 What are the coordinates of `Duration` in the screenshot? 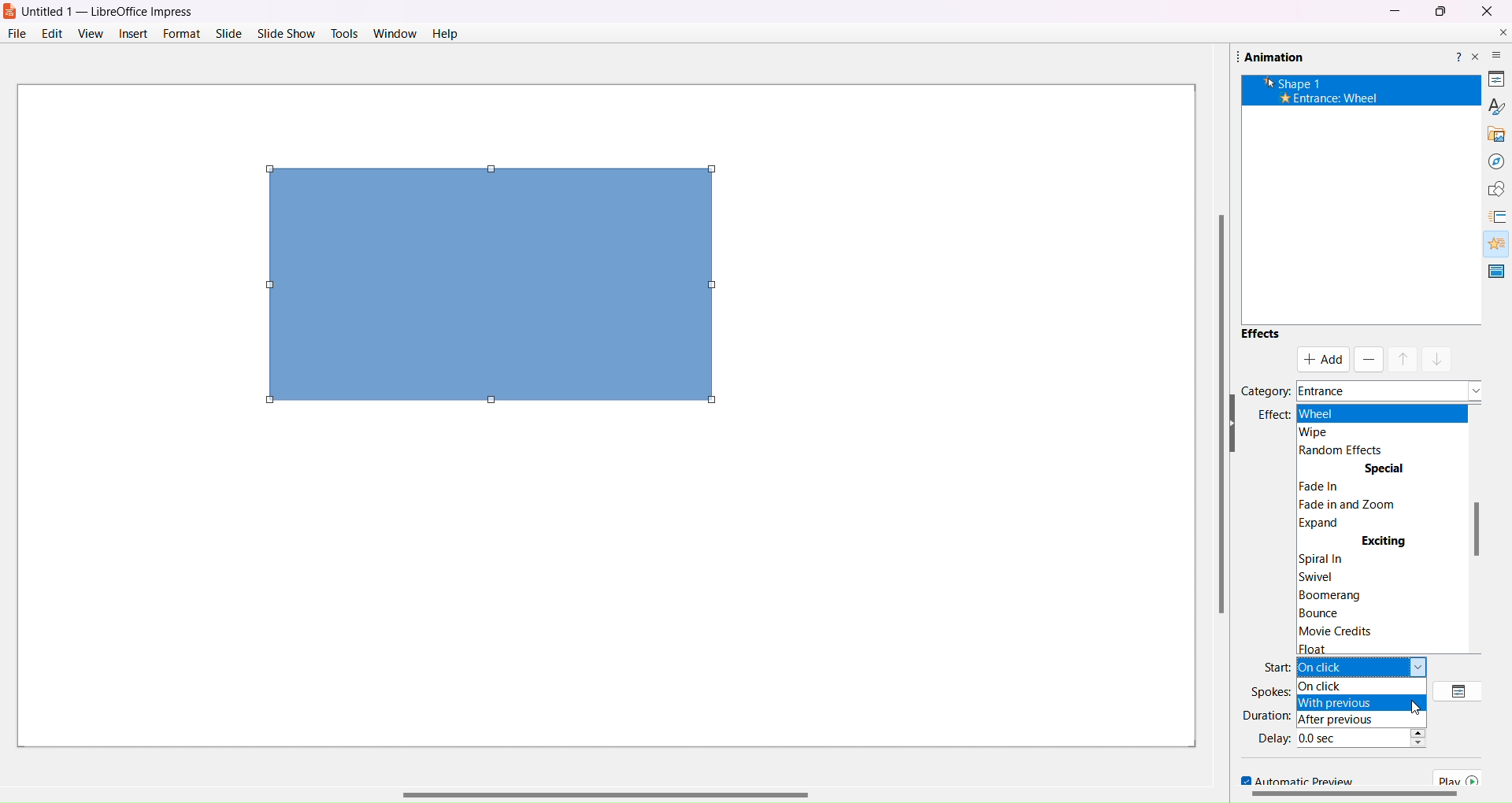 It's located at (1266, 714).